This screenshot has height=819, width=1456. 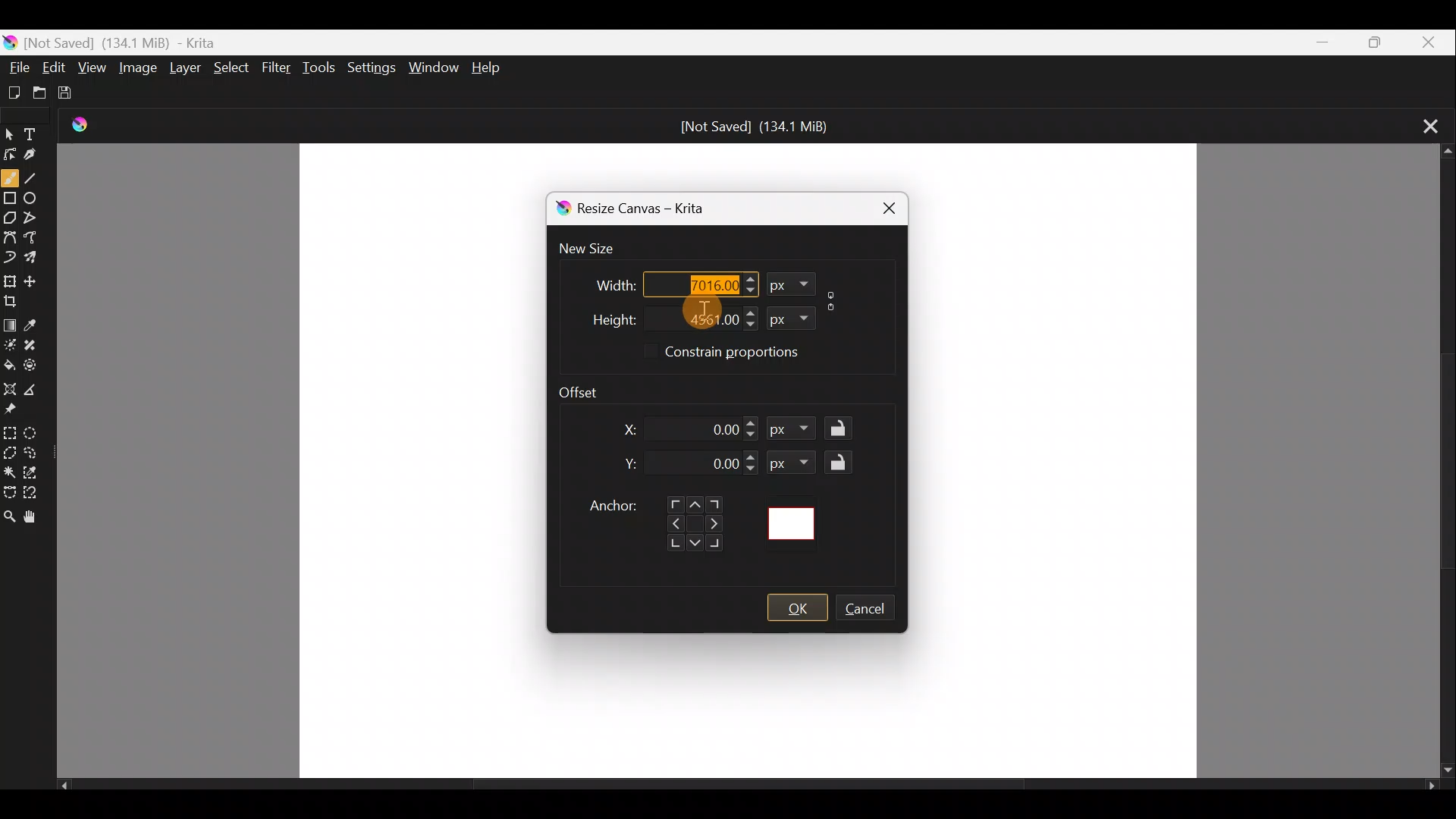 I want to click on px, so click(x=795, y=431).